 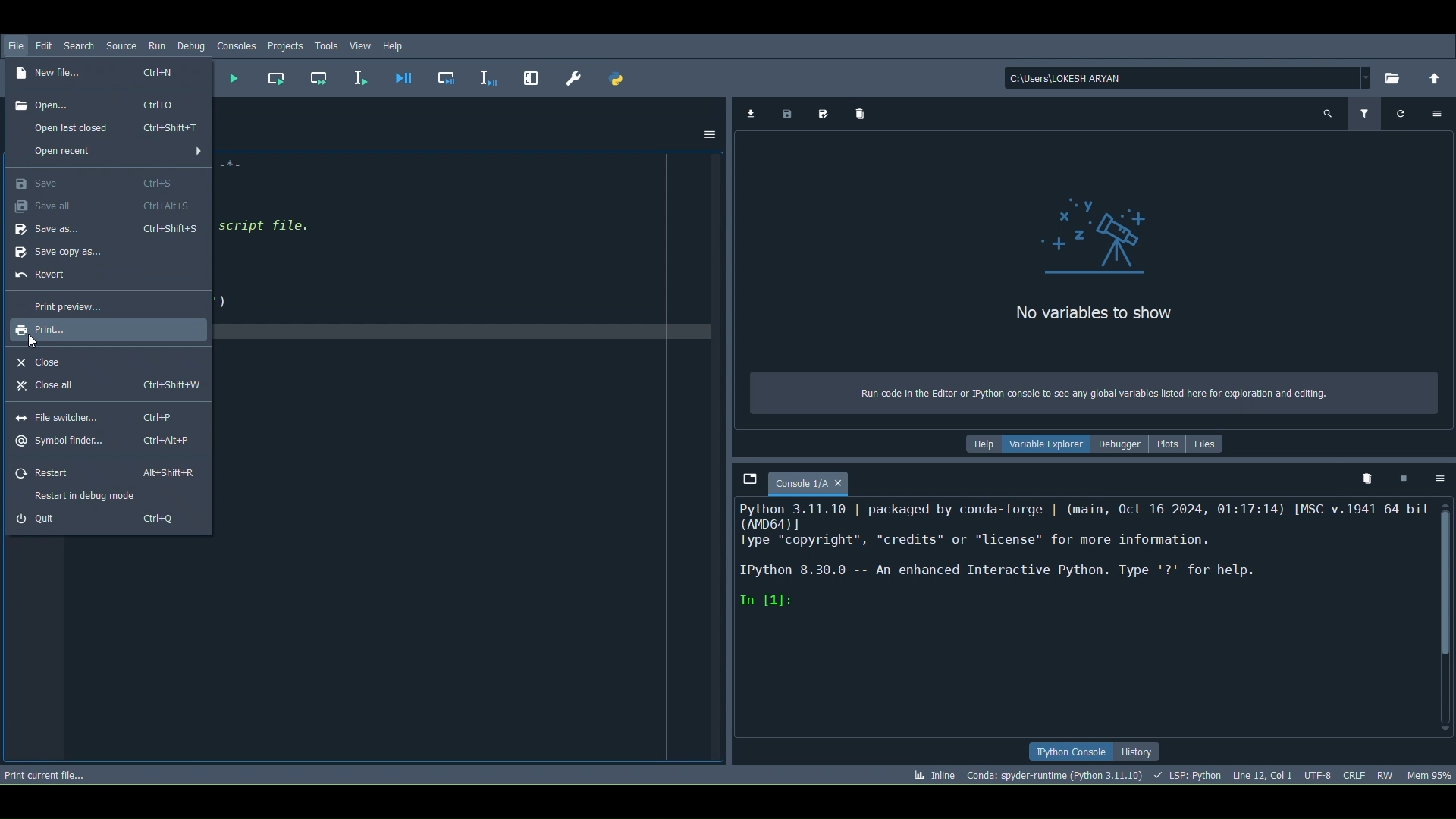 I want to click on File, so click(x=15, y=47).